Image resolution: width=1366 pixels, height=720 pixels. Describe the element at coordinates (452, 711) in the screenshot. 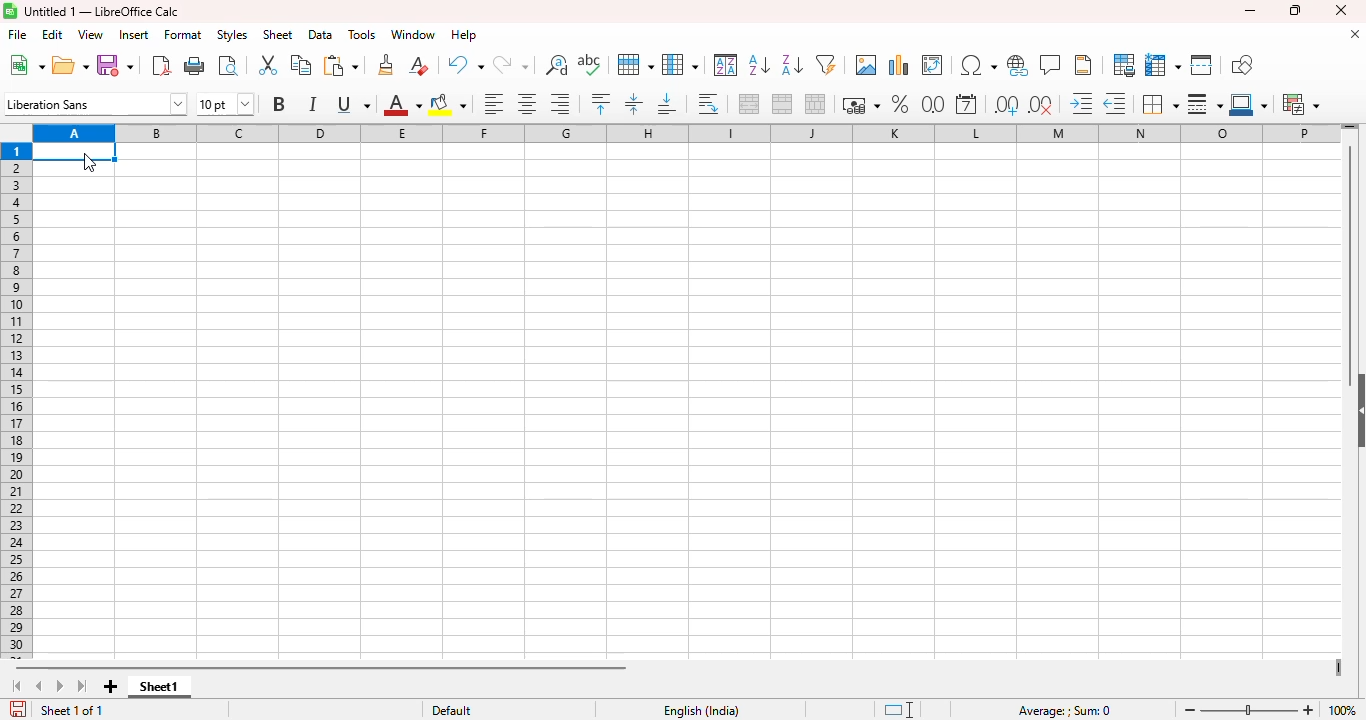

I see `default` at that location.